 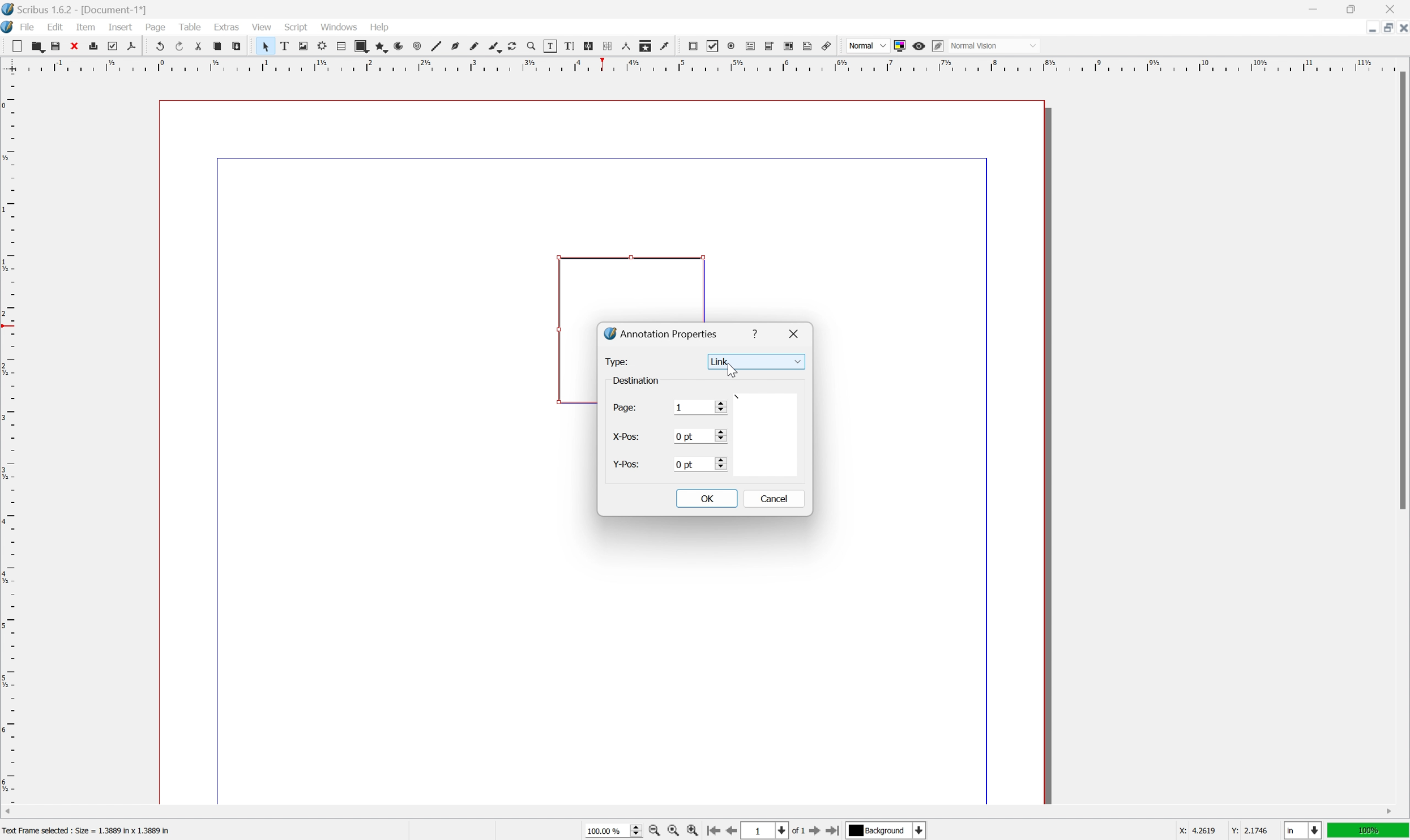 I want to click on text frame, so click(x=284, y=46).